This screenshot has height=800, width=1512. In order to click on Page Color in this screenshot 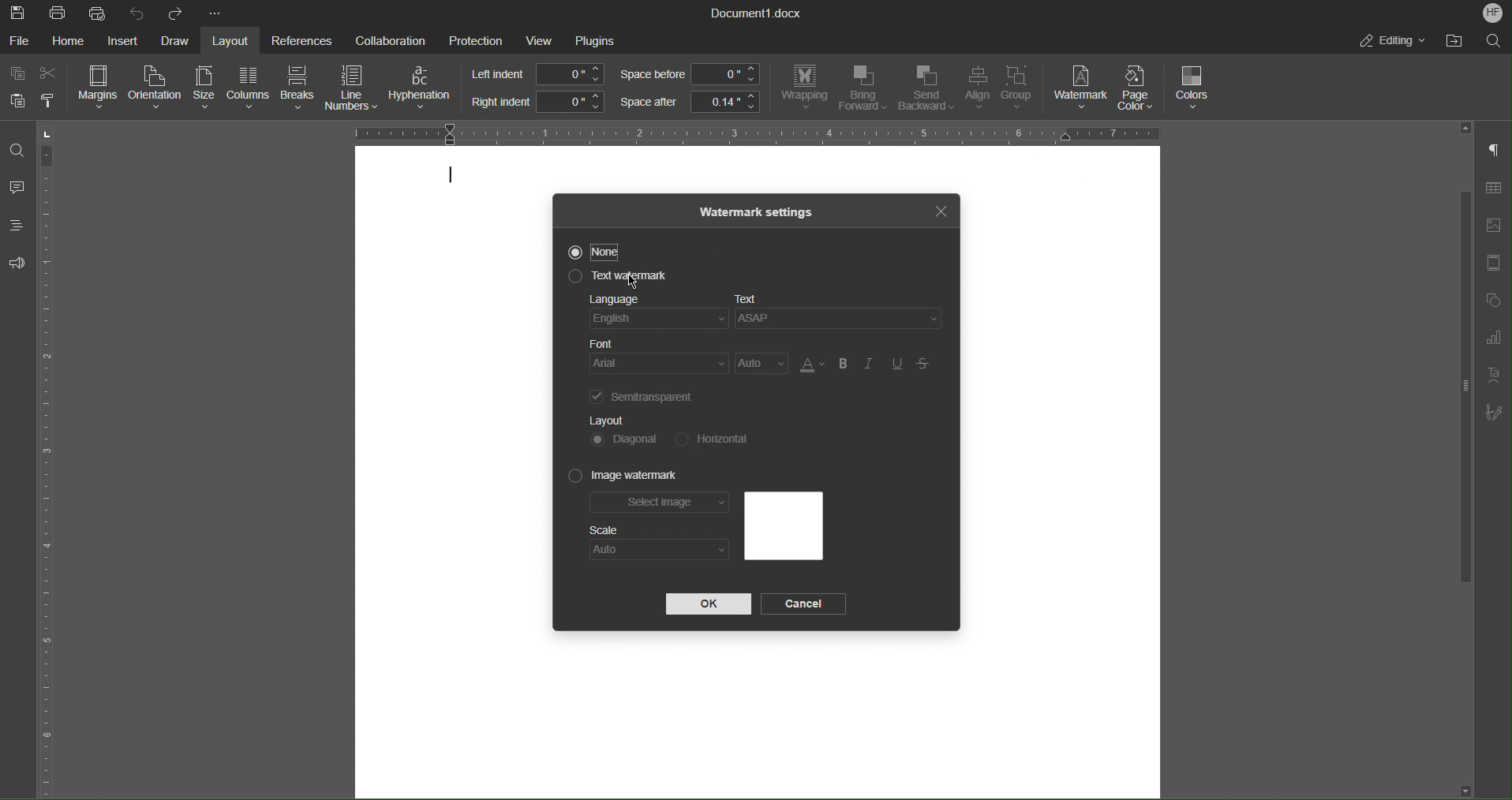, I will do `click(1141, 88)`.